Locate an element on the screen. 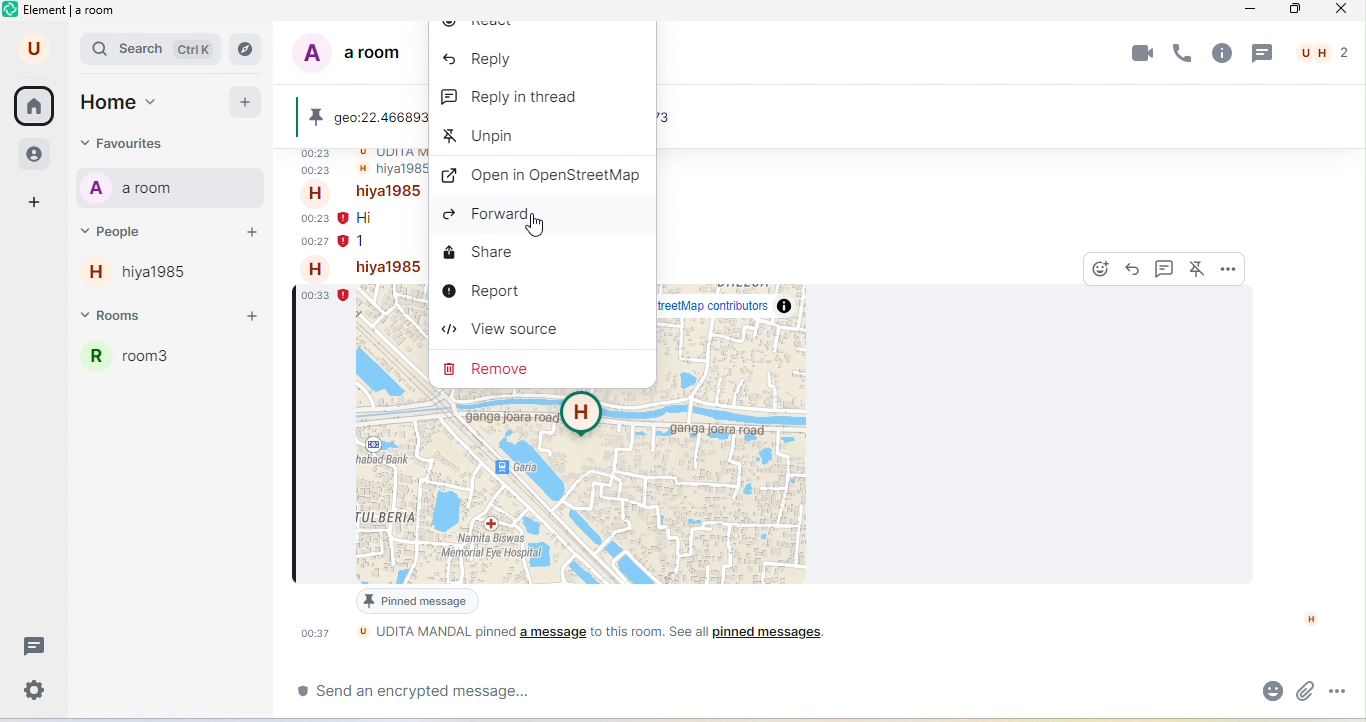 Image resolution: width=1366 pixels, height=722 pixels. home is located at coordinates (36, 107).